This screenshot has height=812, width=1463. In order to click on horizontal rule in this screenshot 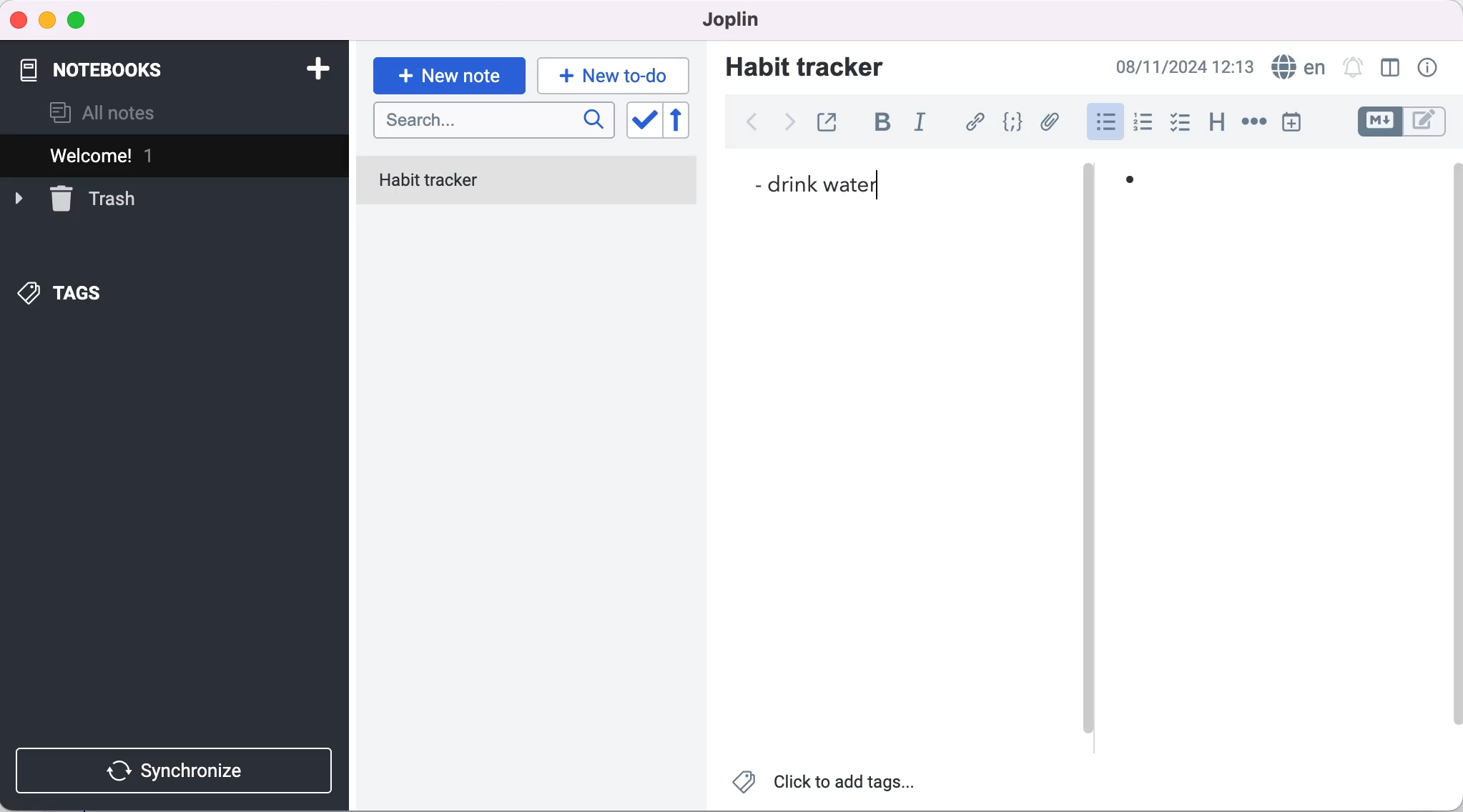, I will do `click(1253, 123)`.